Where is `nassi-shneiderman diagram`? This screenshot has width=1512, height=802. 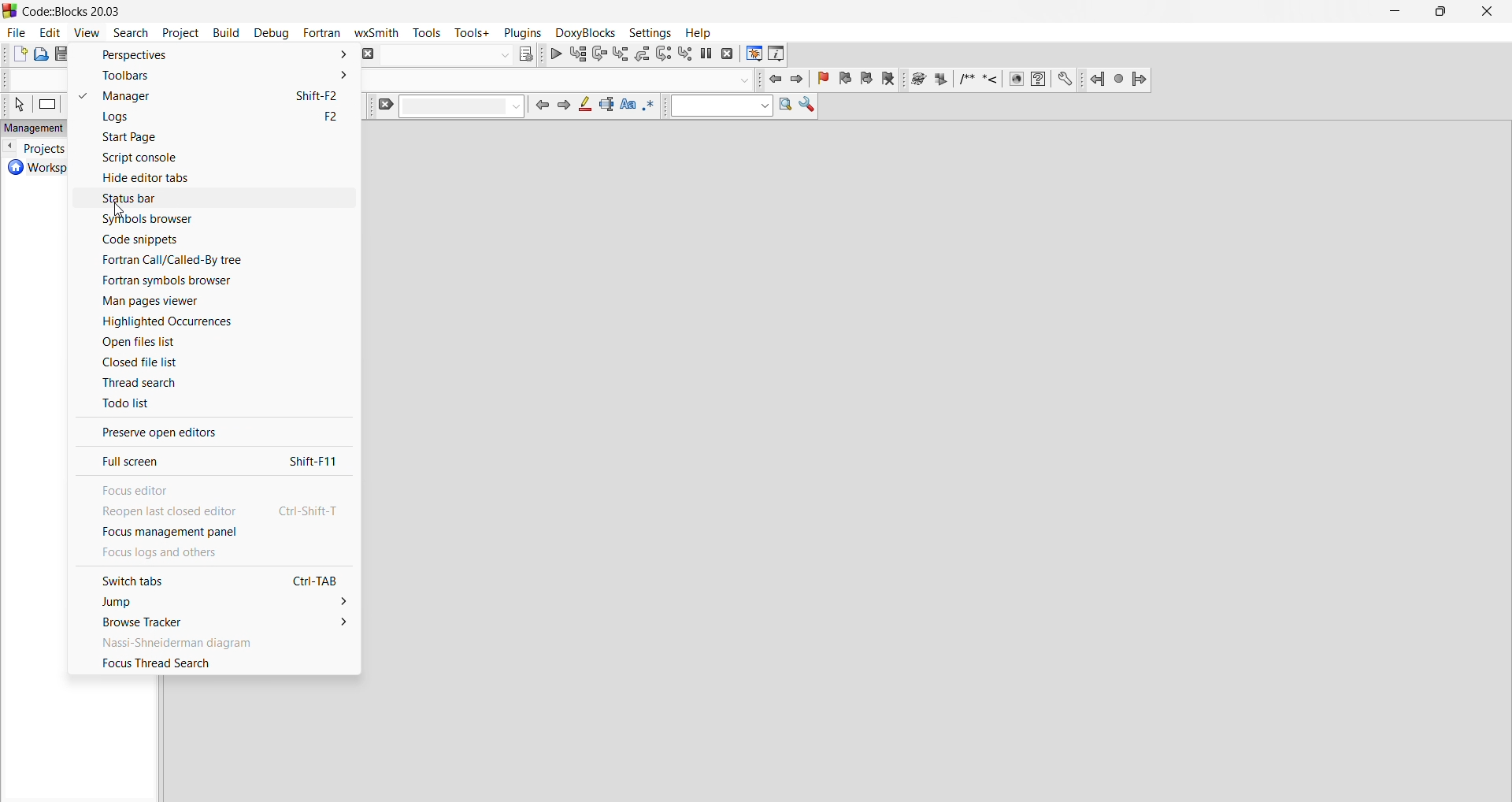 nassi-shneiderman diagram is located at coordinates (216, 642).